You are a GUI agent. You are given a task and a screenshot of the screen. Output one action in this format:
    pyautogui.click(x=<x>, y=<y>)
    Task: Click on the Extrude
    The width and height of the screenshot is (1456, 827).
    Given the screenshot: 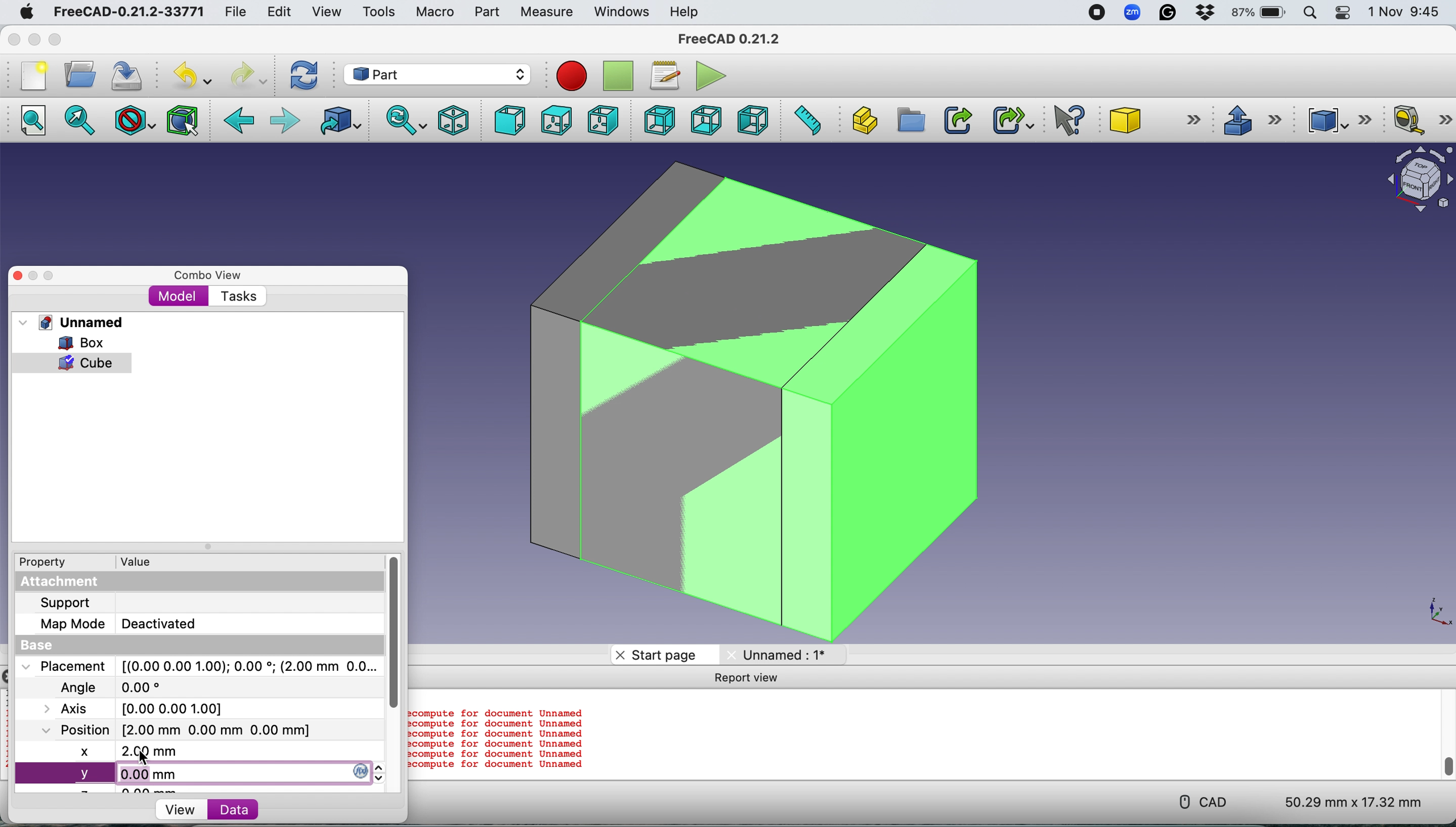 What is the action you would take?
    pyautogui.click(x=1251, y=119)
    